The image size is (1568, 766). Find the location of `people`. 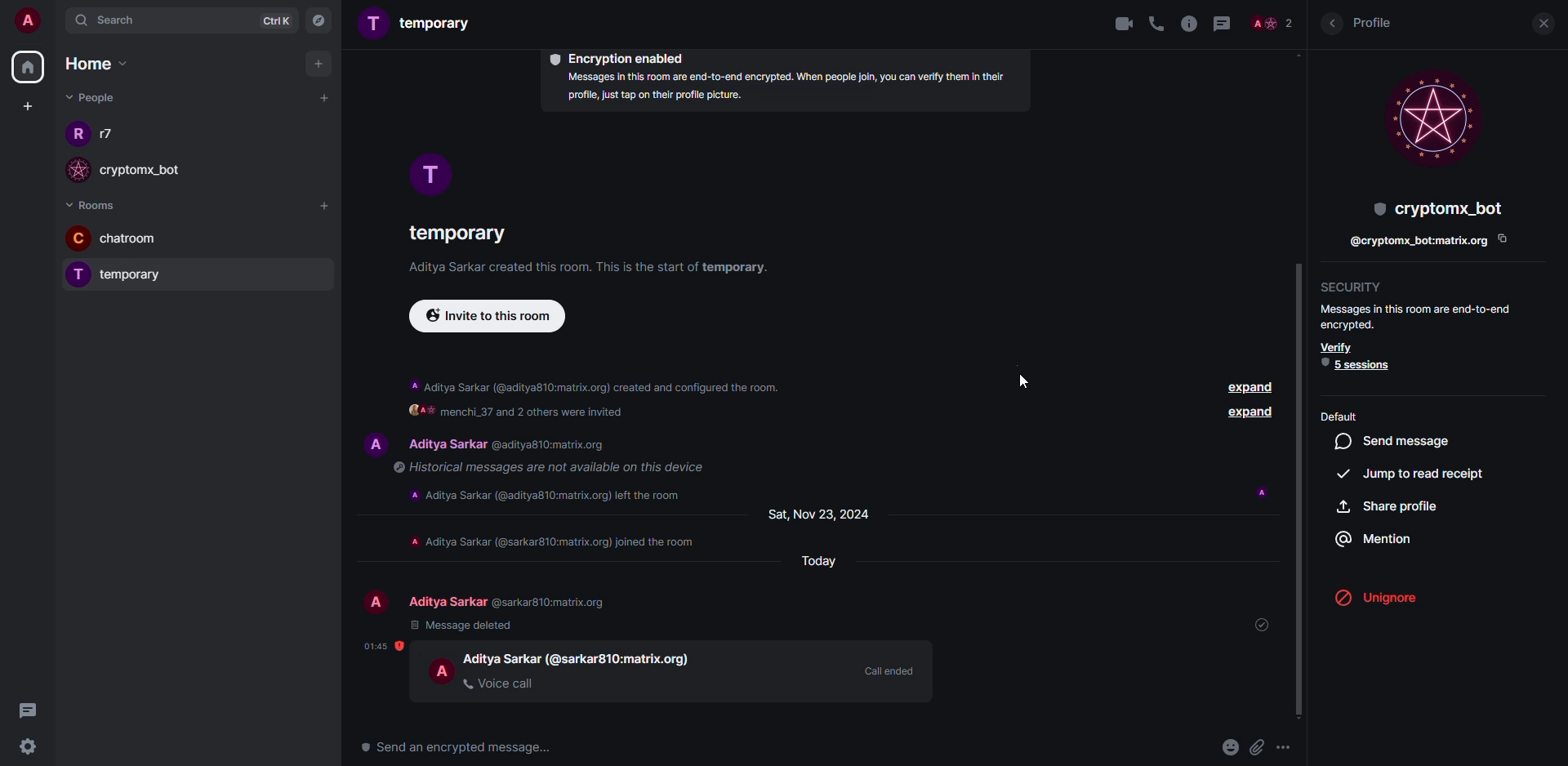

people is located at coordinates (580, 657).